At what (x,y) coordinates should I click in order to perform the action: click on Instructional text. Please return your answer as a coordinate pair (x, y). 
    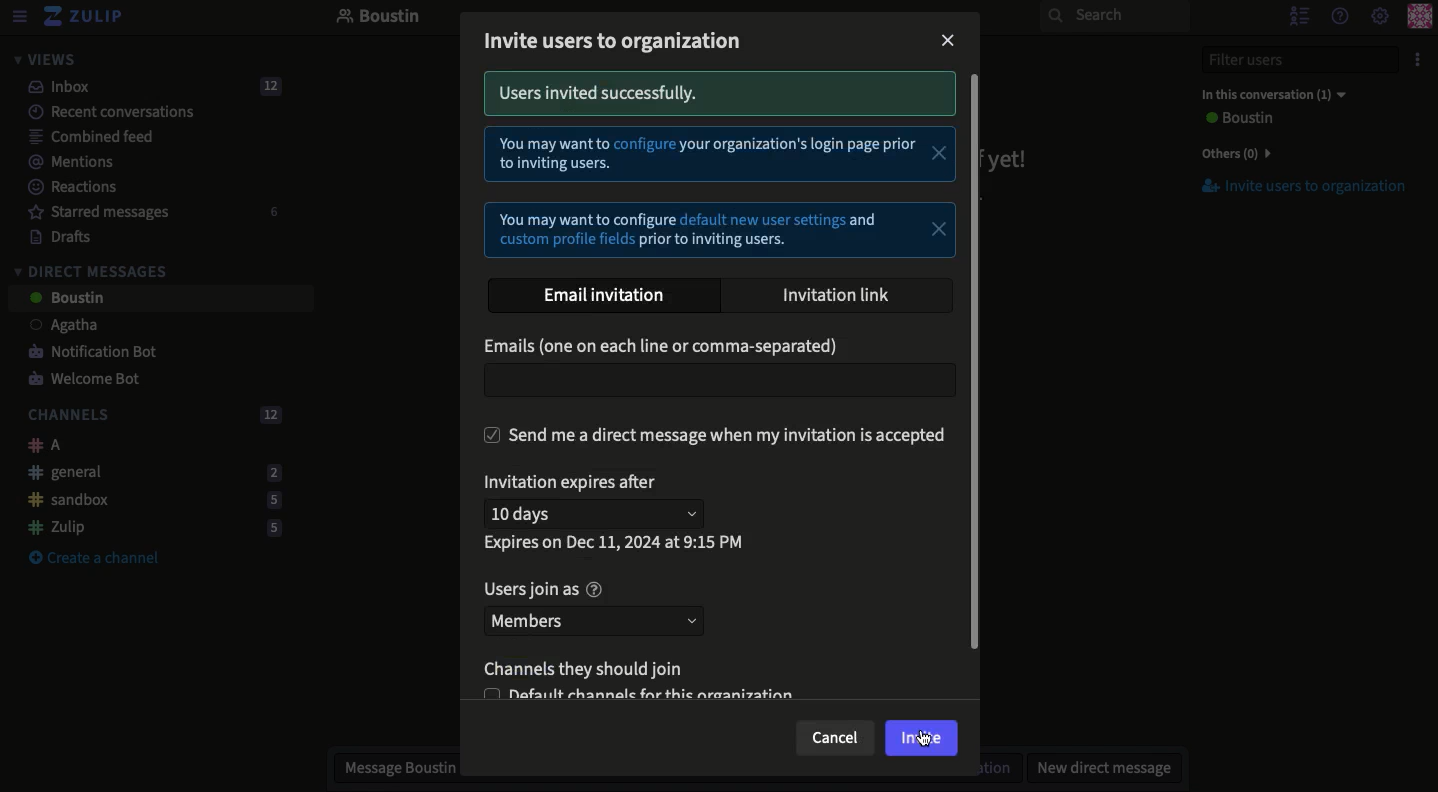
    Looking at the image, I should click on (720, 195).